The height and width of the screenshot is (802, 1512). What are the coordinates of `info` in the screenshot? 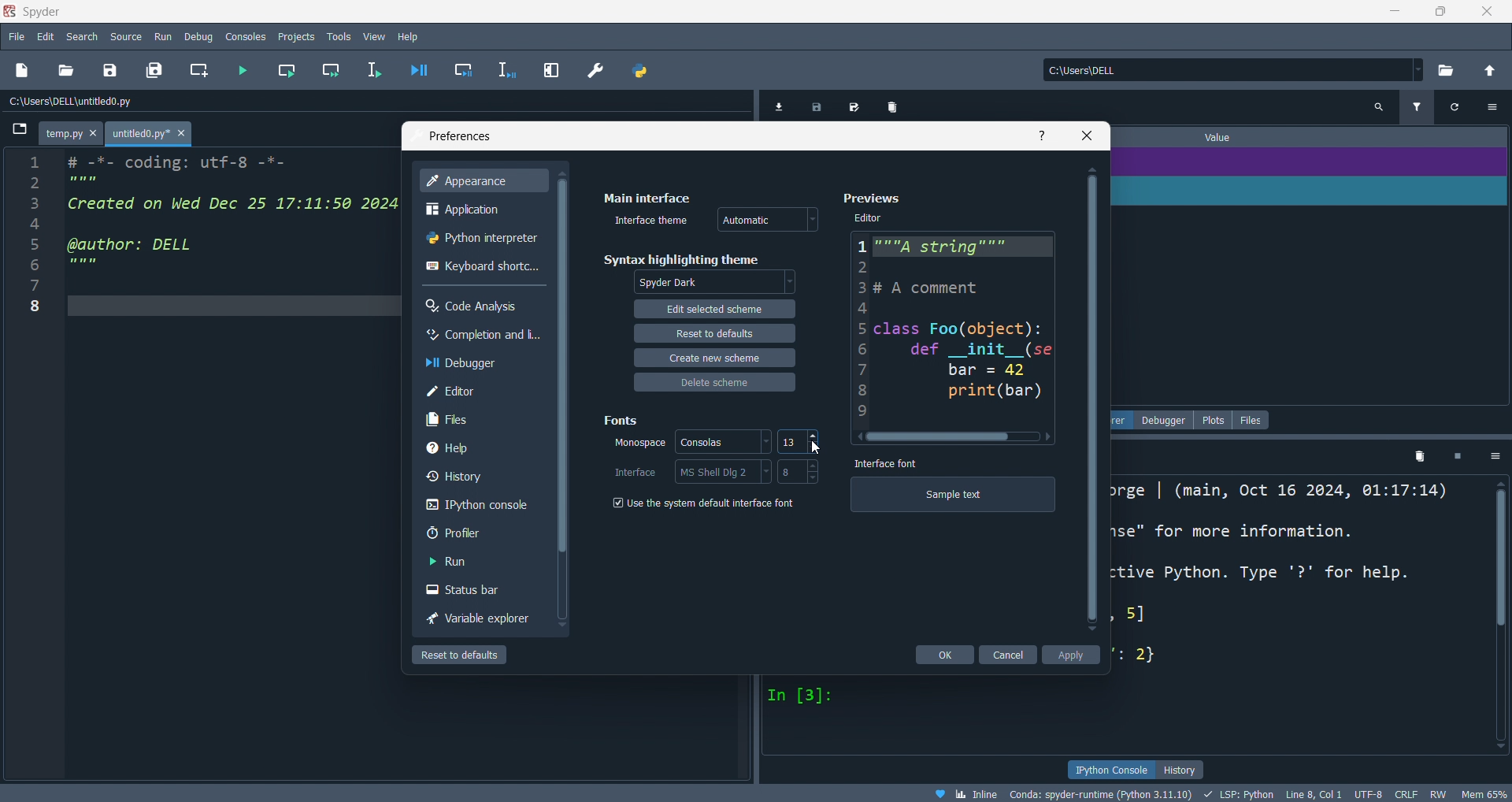 It's located at (1041, 136).